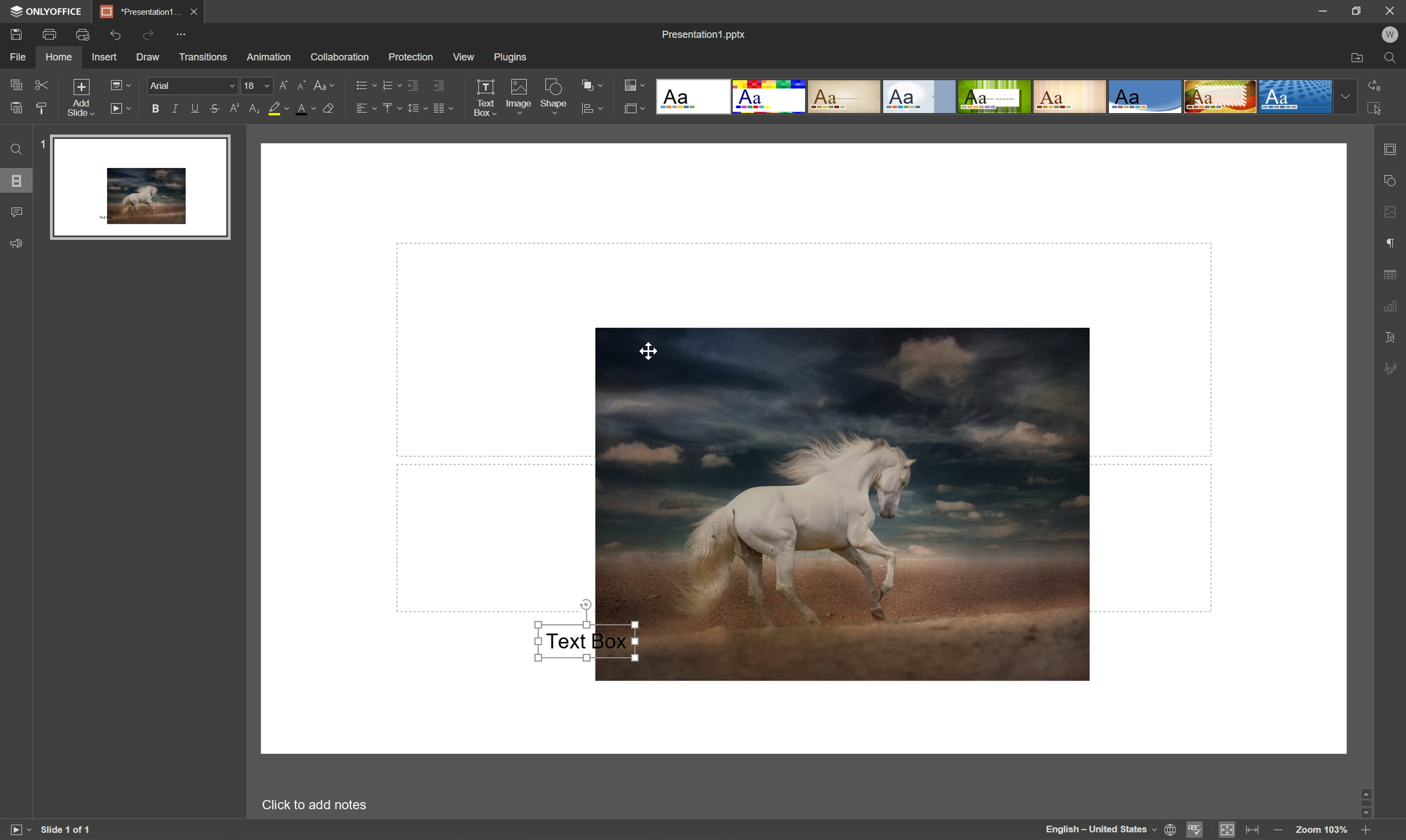  Describe the element at coordinates (920, 96) in the screenshot. I see `Official` at that location.